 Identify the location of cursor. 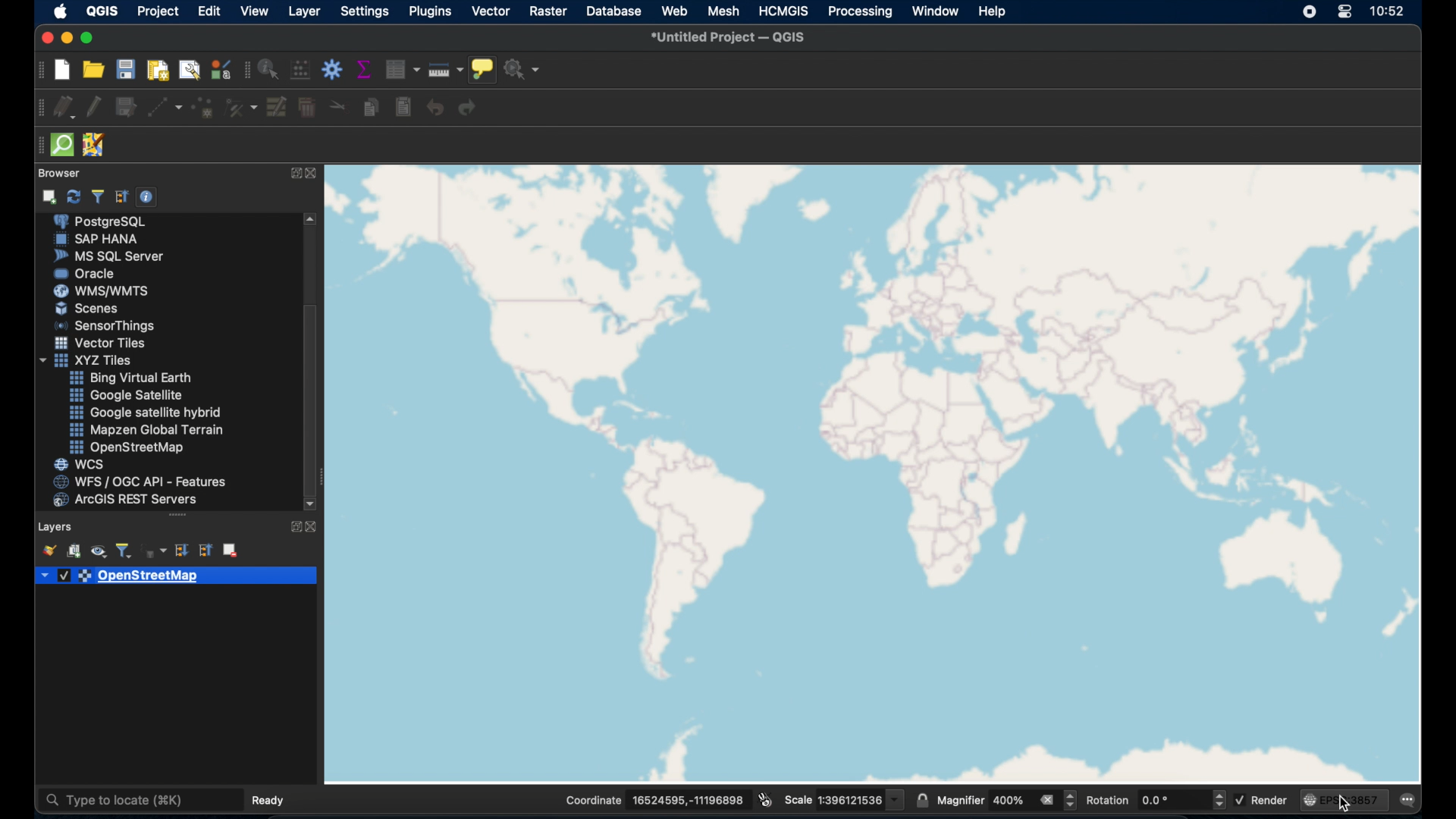
(1356, 802).